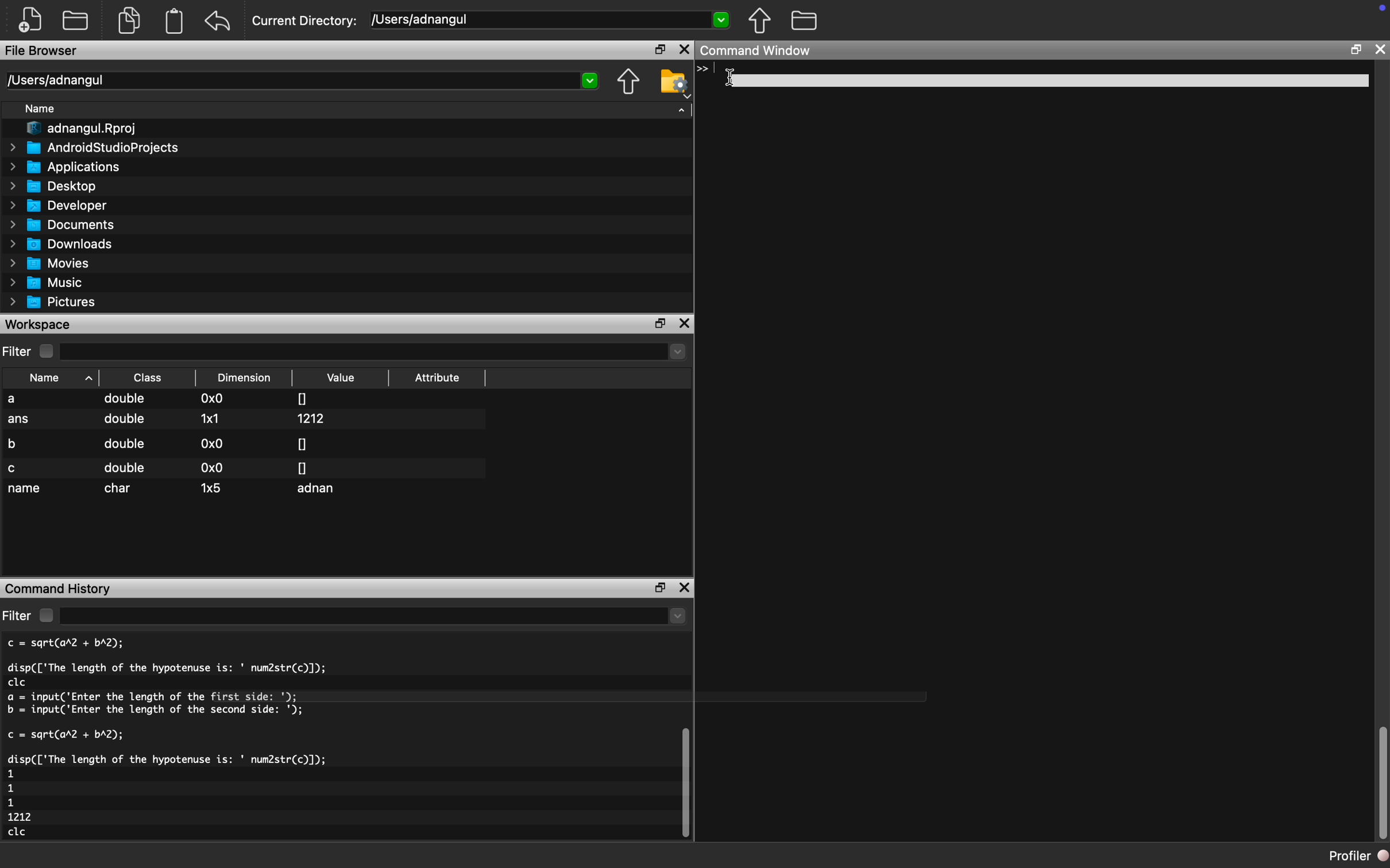 The image size is (1390, 868). What do you see at coordinates (45, 615) in the screenshot?
I see `checkbox` at bounding box center [45, 615].